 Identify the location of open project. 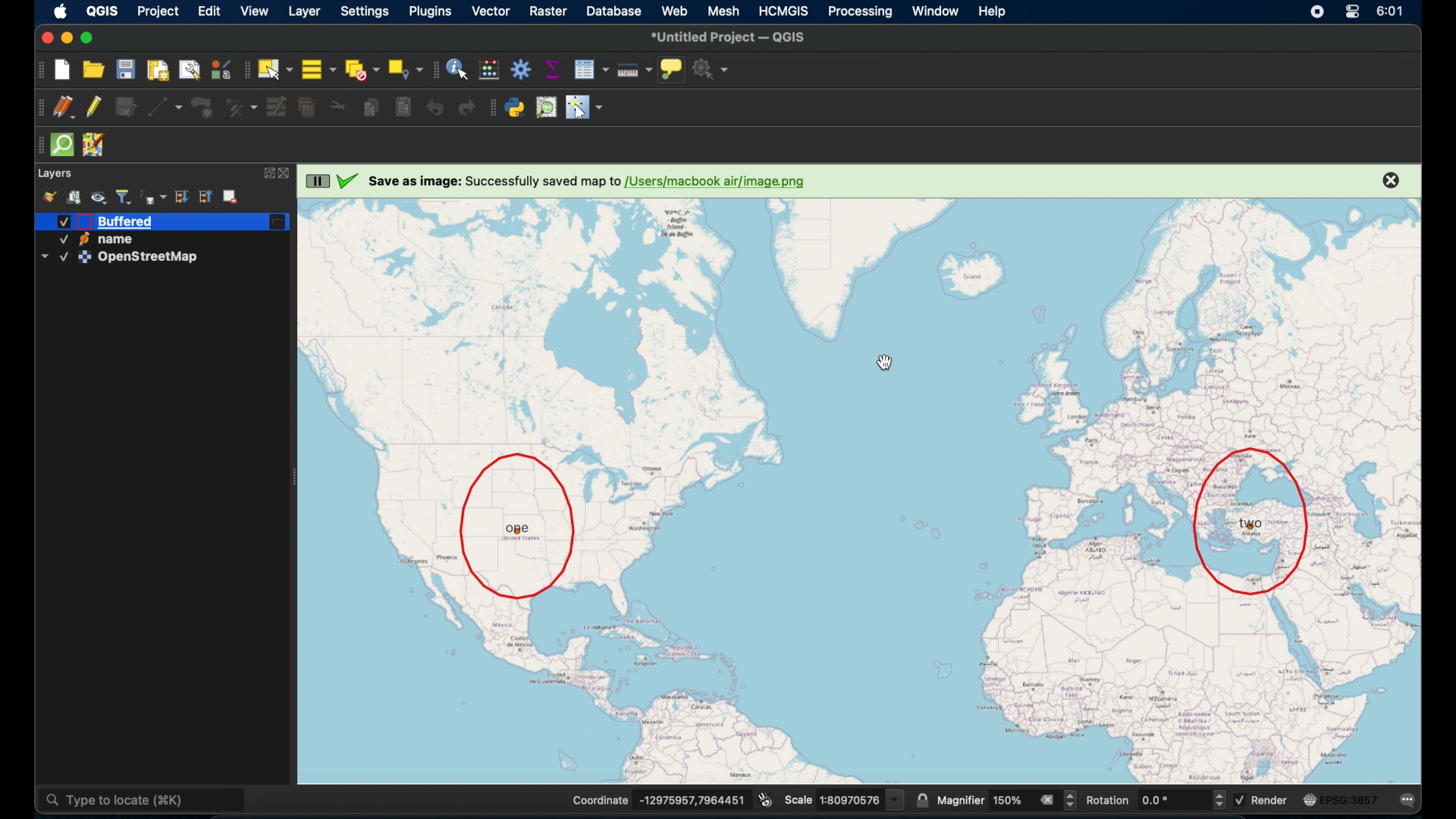
(97, 67).